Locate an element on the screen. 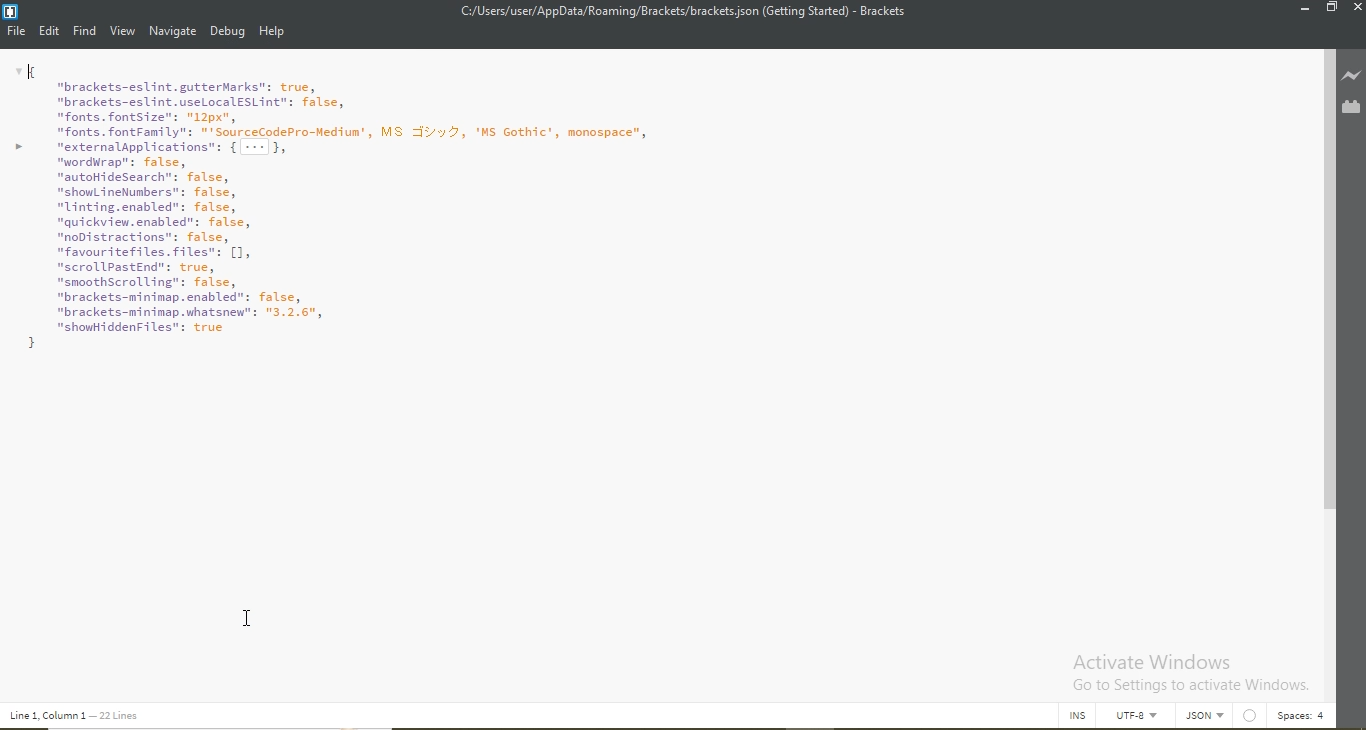 The height and width of the screenshot is (730, 1366). INS is located at coordinates (1079, 716).